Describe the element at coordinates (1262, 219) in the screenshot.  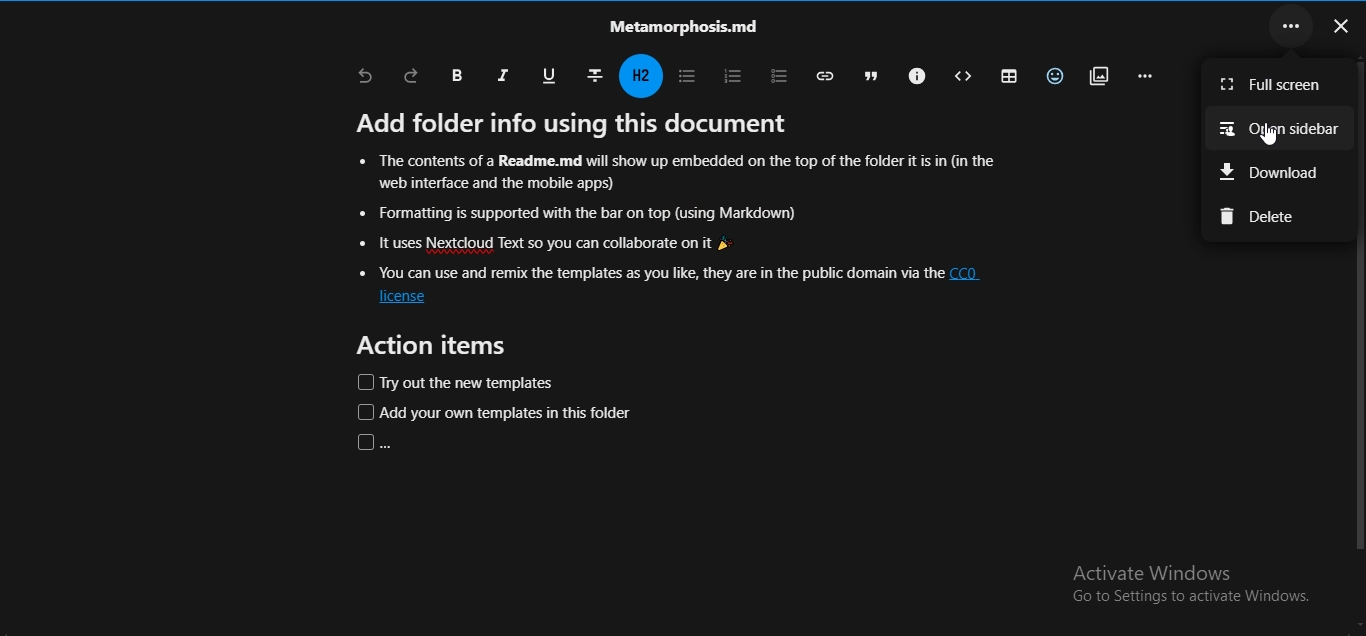
I see `delete` at that location.